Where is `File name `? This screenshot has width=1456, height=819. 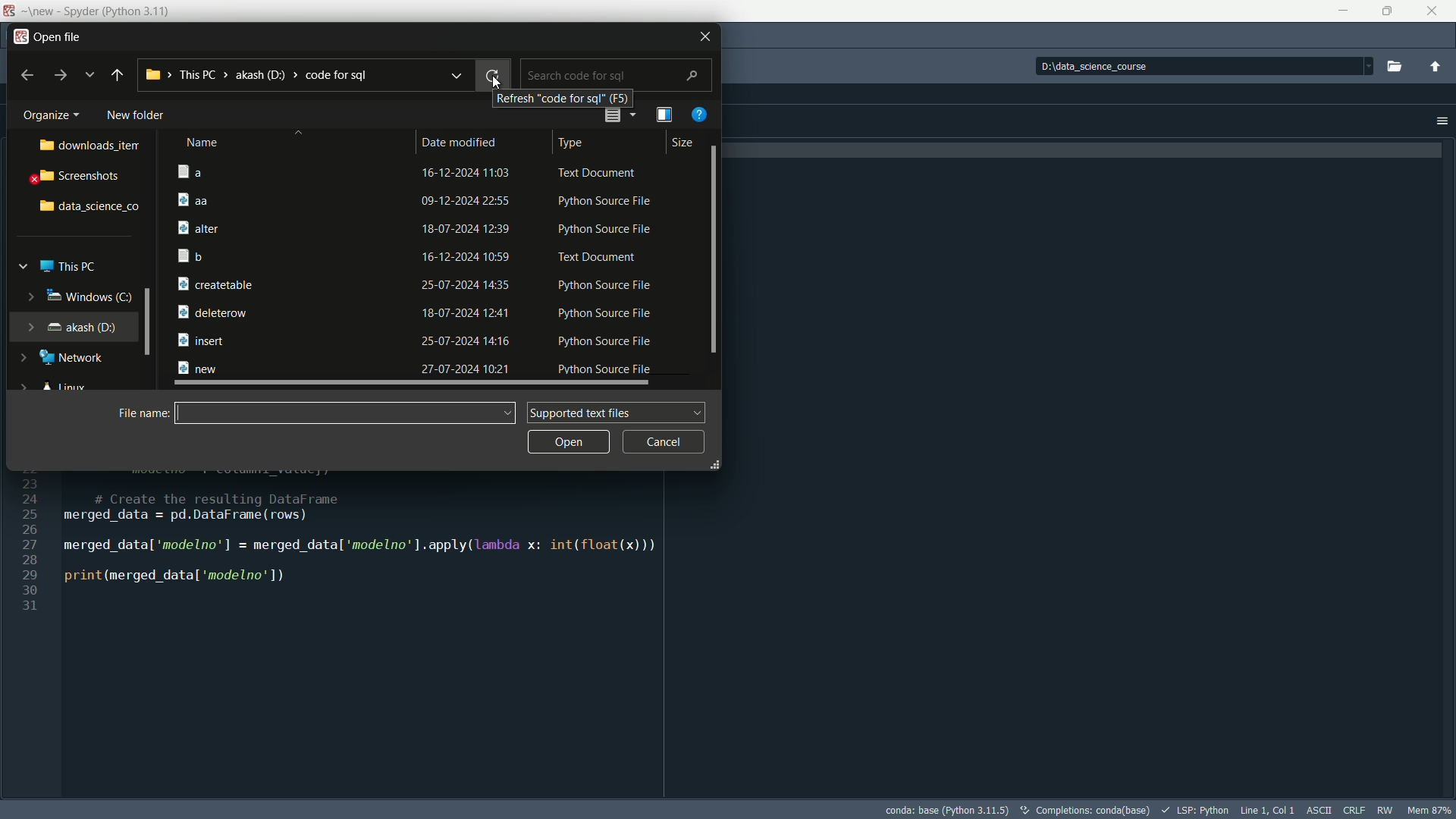
File name  is located at coordinates (347, 411).